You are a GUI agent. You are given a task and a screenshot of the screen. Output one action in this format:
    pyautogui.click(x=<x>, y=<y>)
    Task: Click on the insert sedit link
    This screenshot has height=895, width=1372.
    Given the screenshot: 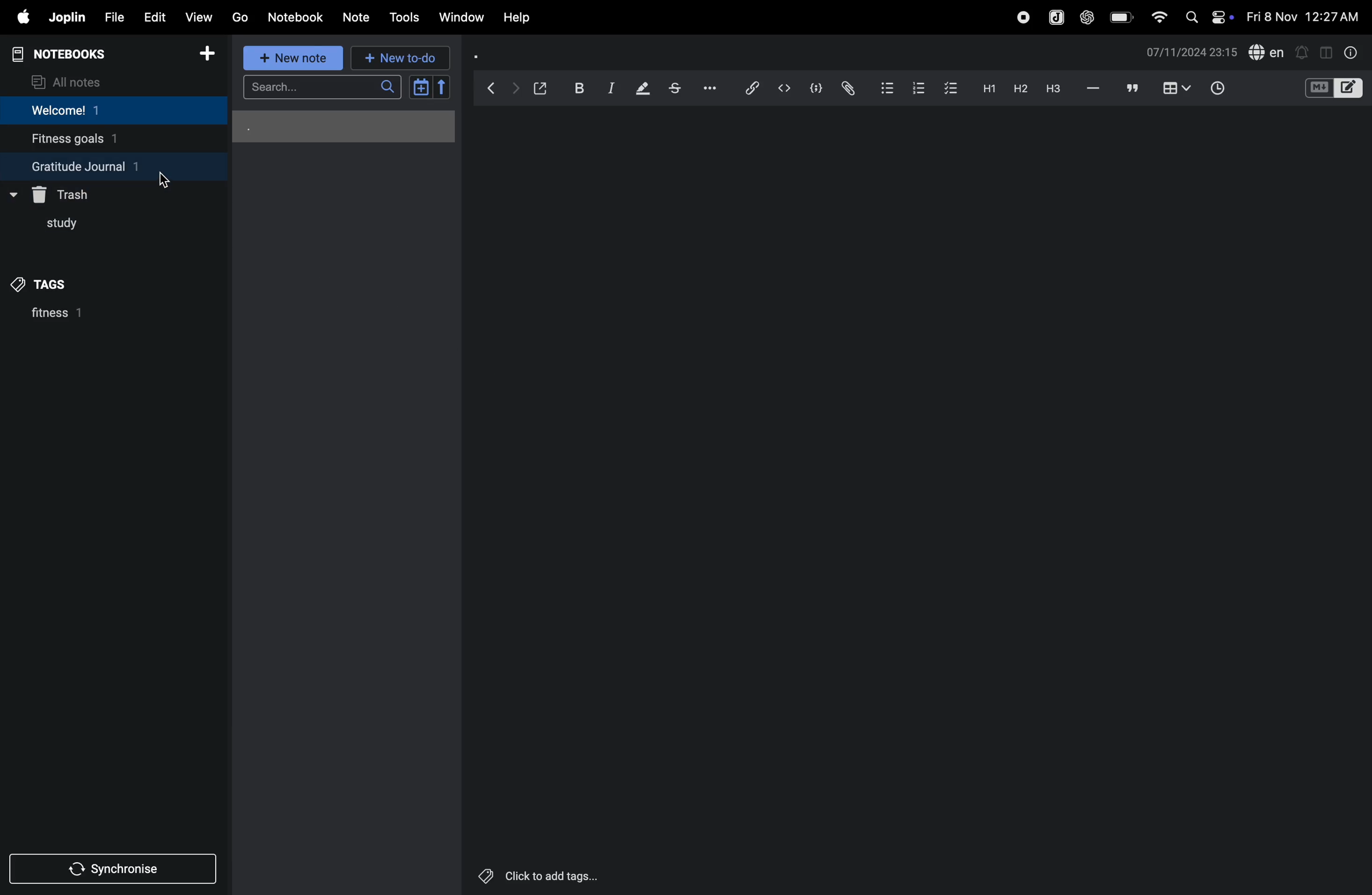 What is the action you would take?
    pyautogui.click(x=752, y=88)
    